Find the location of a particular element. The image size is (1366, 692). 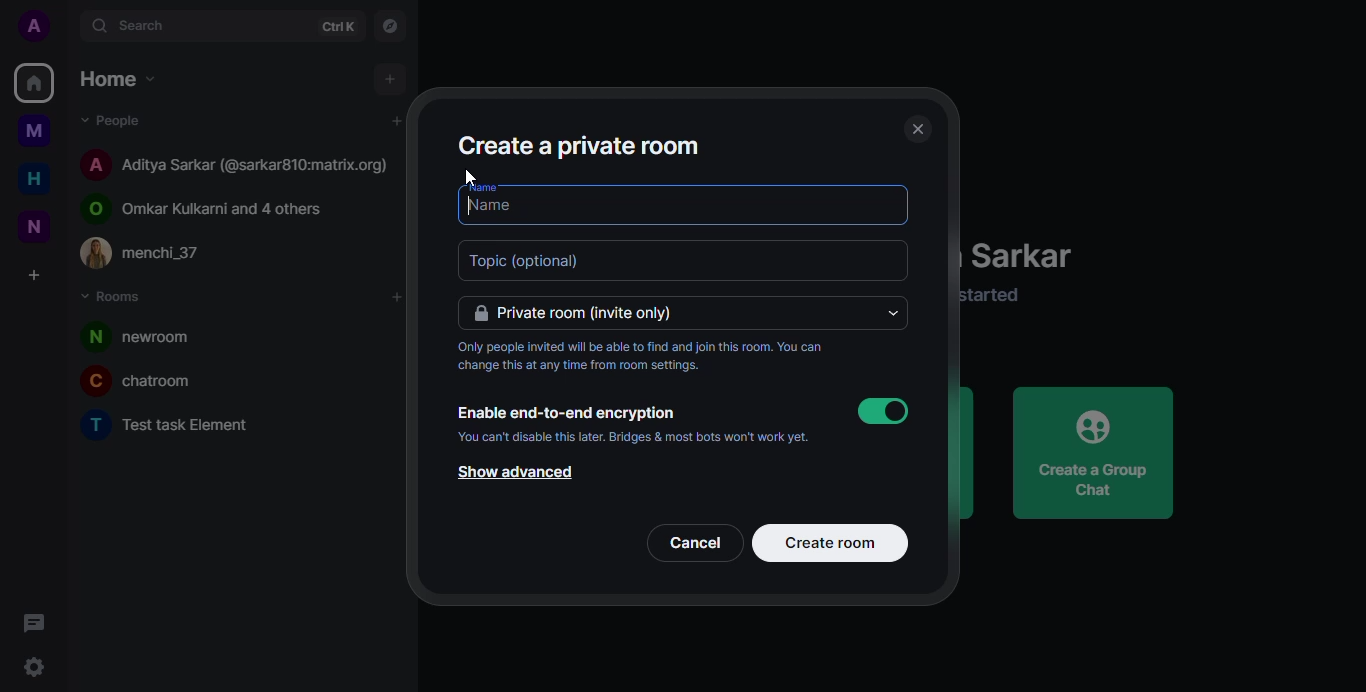

private room is located at coordinates (583, 313).